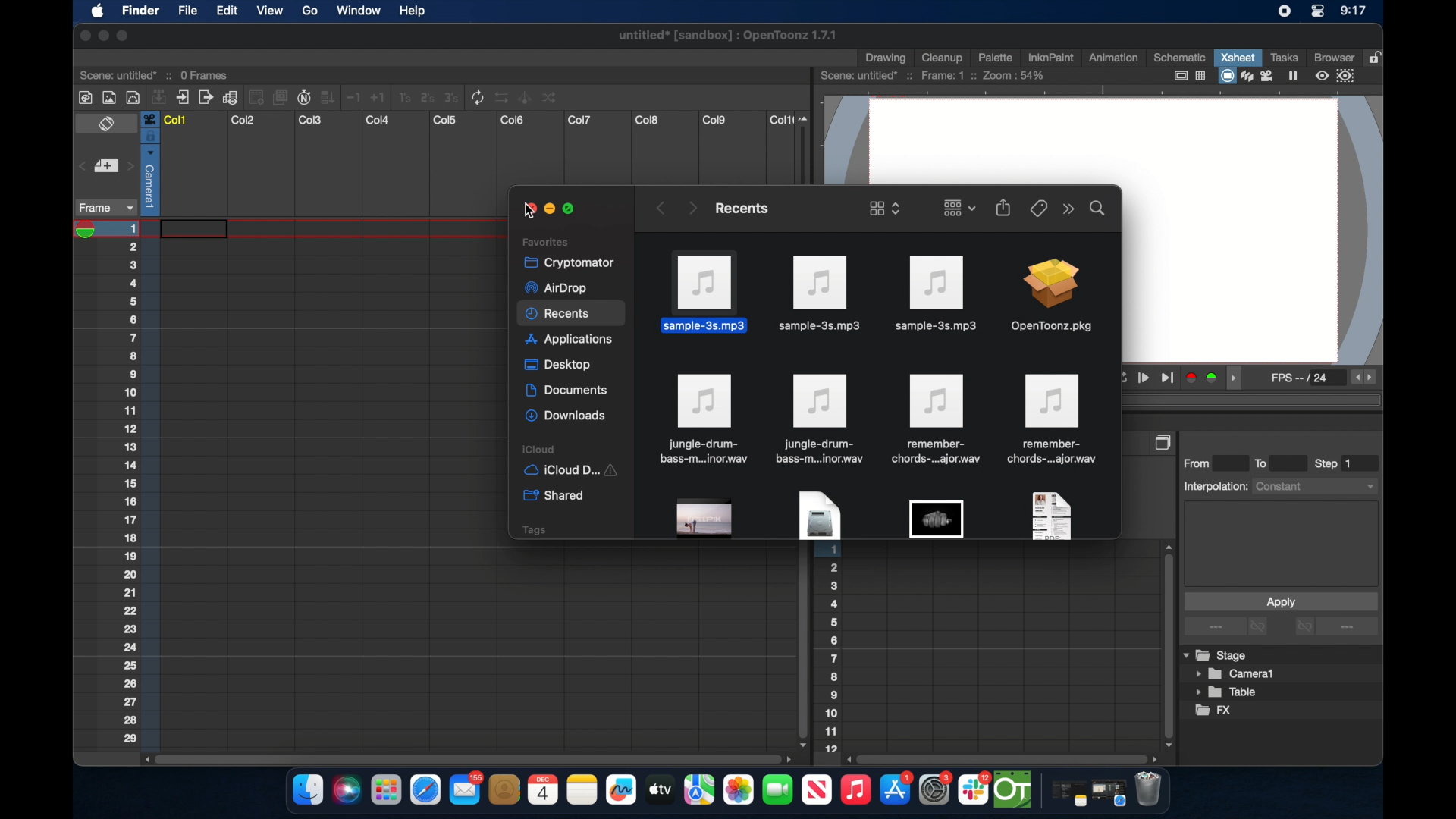  I want to click on imaps, so click(699, 790).